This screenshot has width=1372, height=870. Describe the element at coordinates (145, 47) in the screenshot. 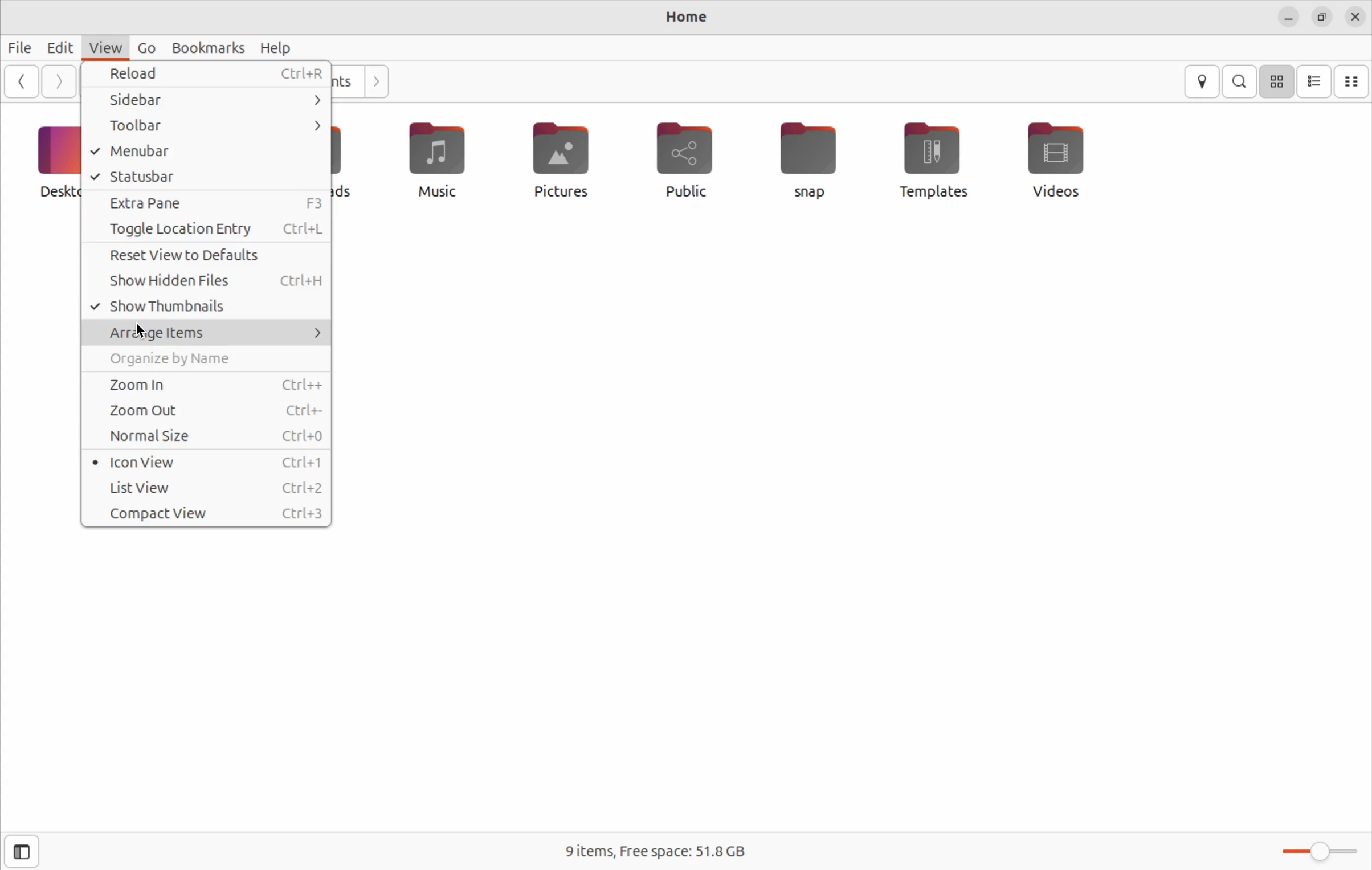

I see `Go` at that location.